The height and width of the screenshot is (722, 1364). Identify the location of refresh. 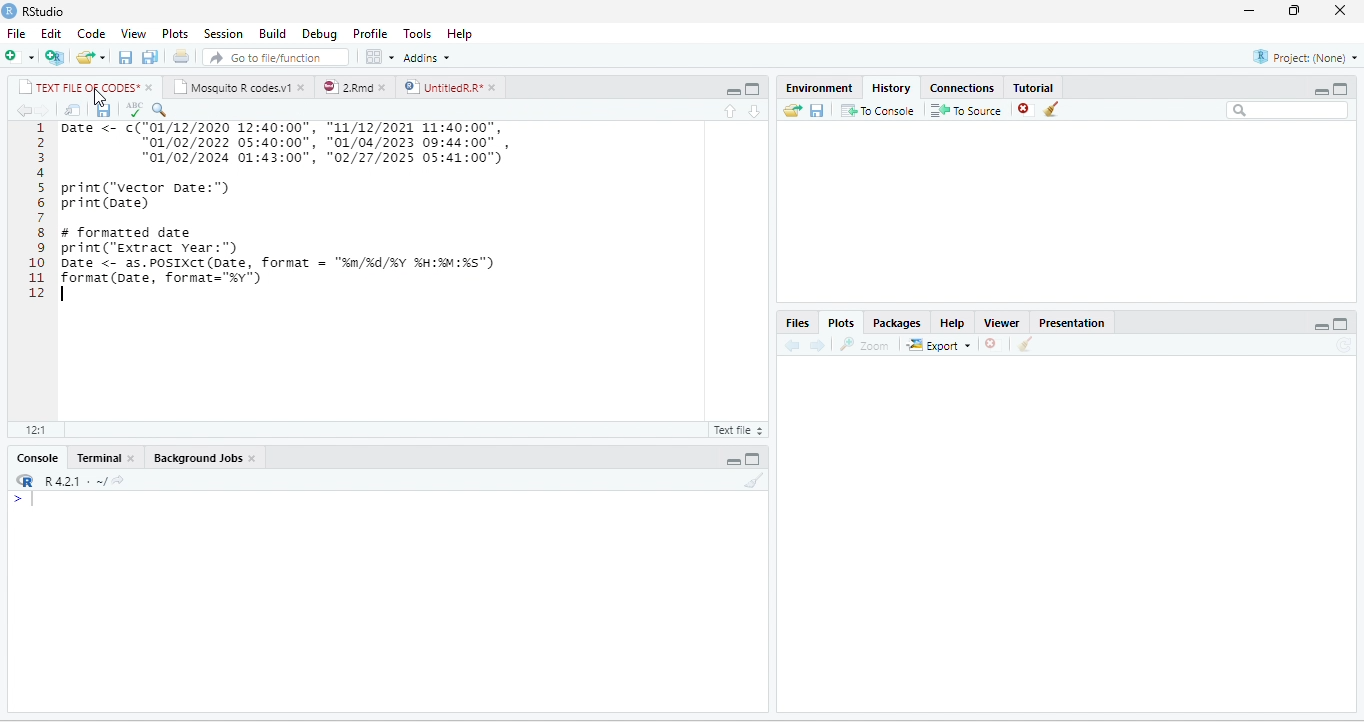
(1346, 346).